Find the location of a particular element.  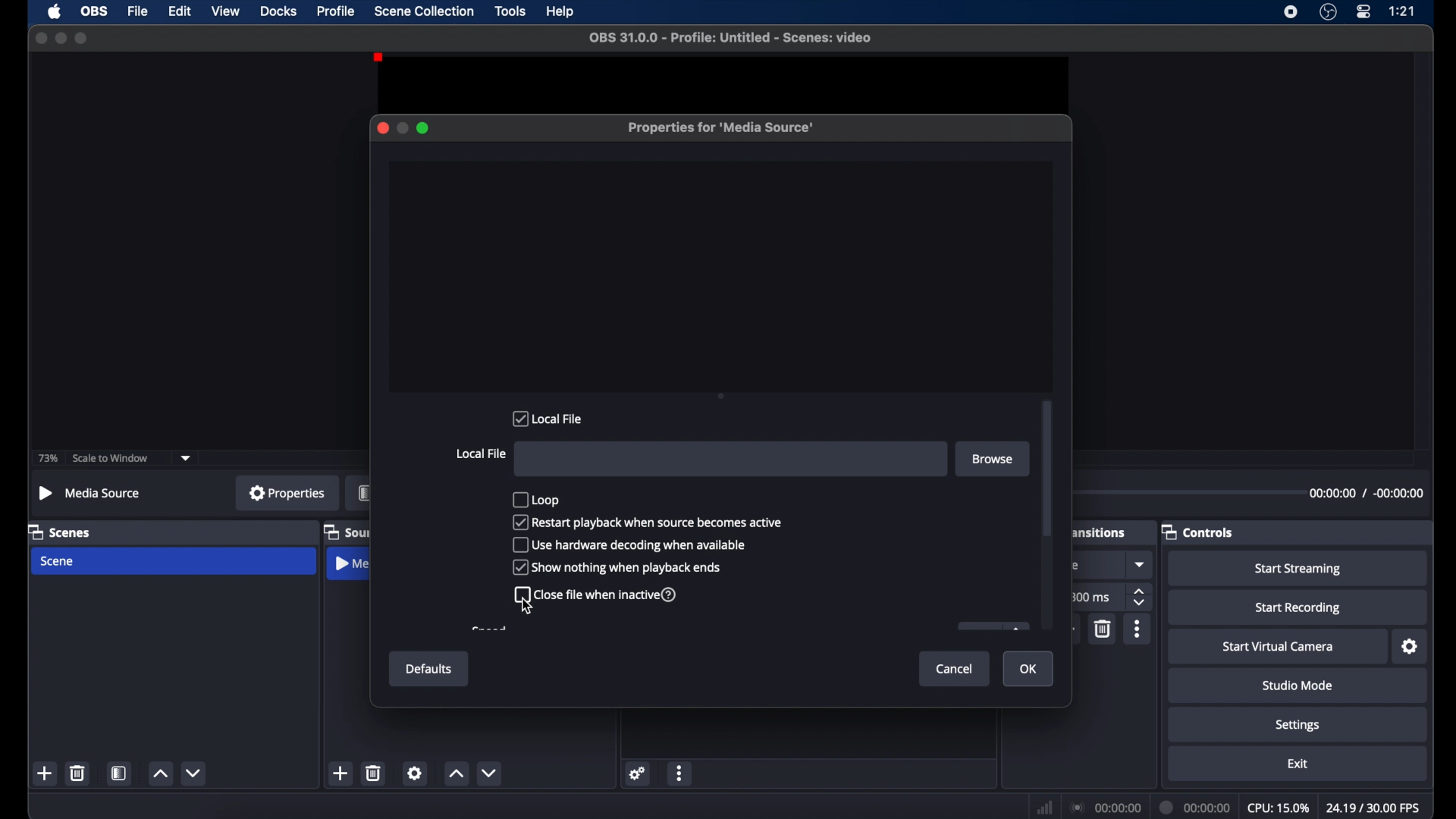

obscure icon is located at coordinates (992, 626).